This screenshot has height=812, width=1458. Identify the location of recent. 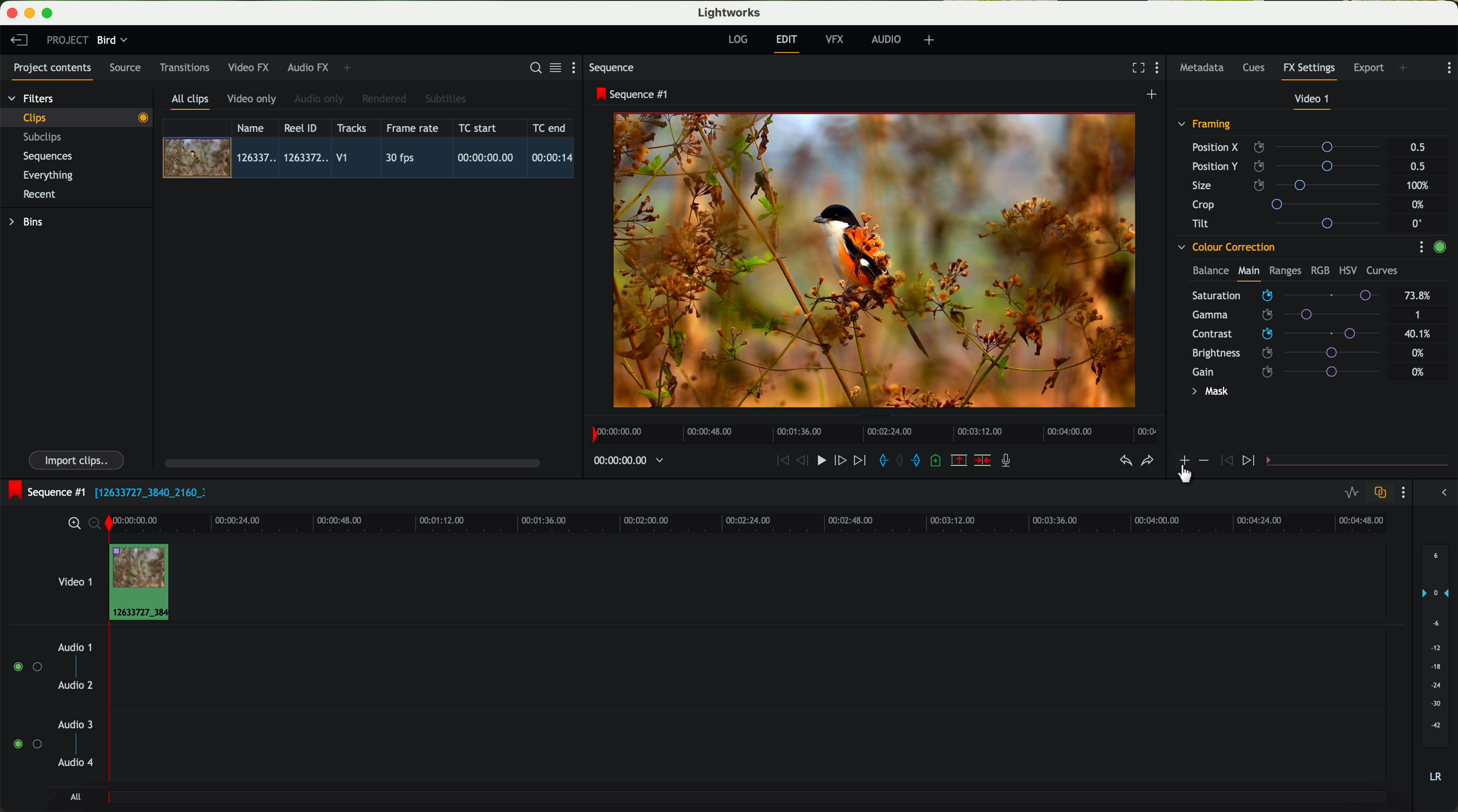
(40, 196).